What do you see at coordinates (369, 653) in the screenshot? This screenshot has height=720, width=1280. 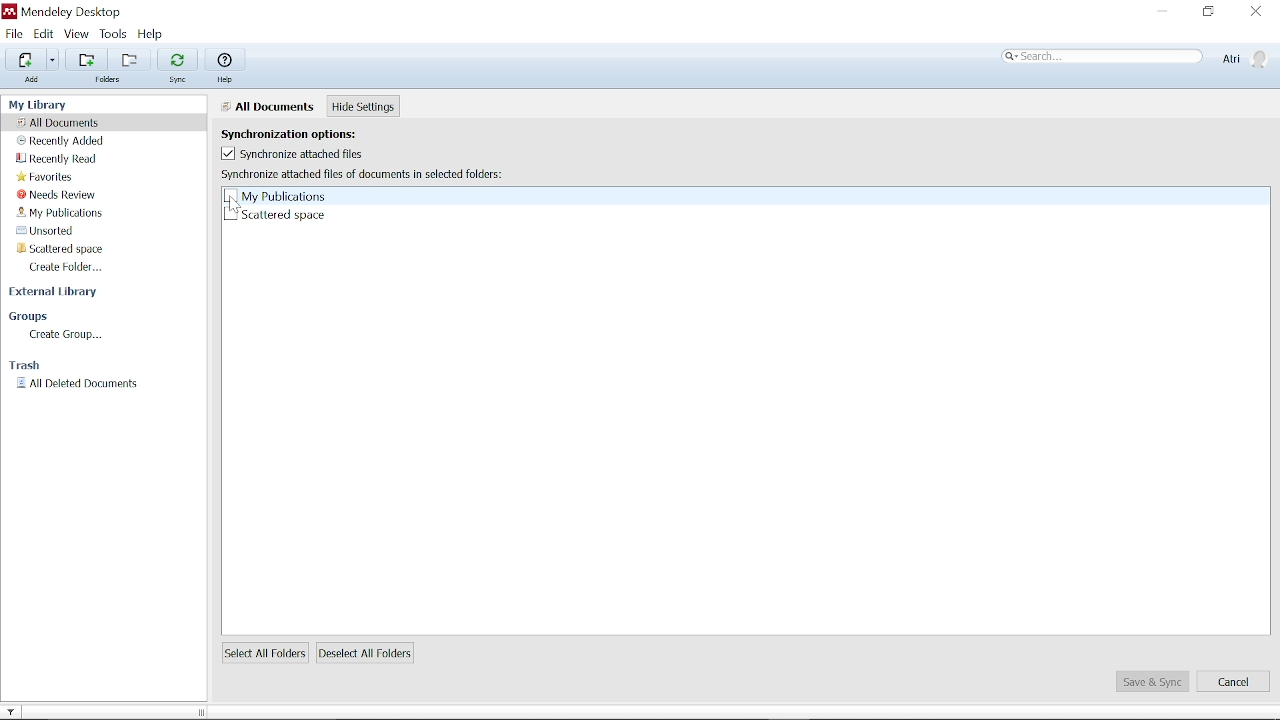 I see `Deselect all folders` at bounding box center [369, 653].